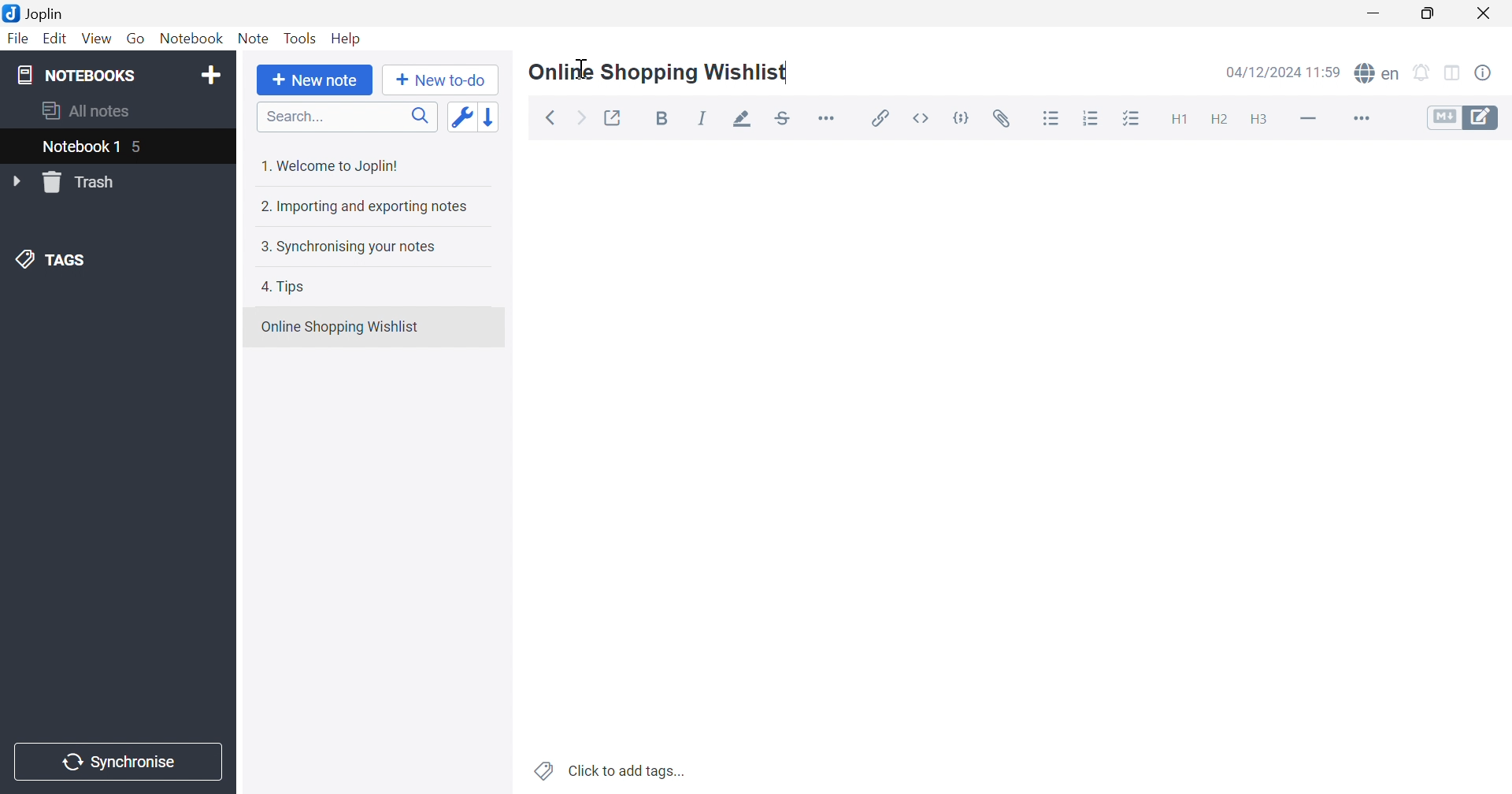 The height and width of the screenshot is (794, 1512). Describe the element at coordinates (658, 73) in the screenshot. I see `Online Shopping Wishlist` at that location.